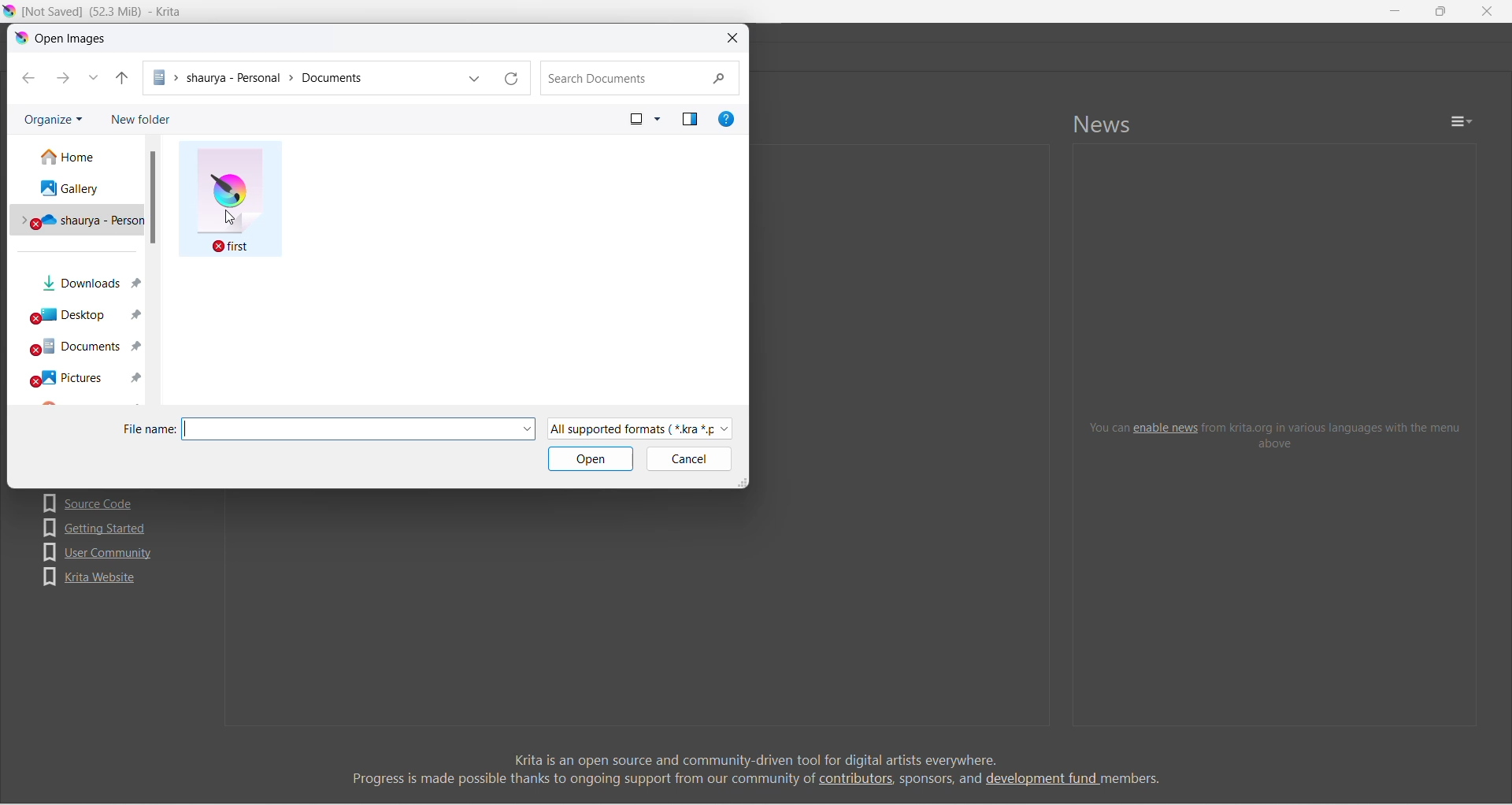 This screenshot has height=805, width=1512. What do you see at coordinates (76, 217) in the screenshot?
I see `personal drive` at bounding box center [76, 217].